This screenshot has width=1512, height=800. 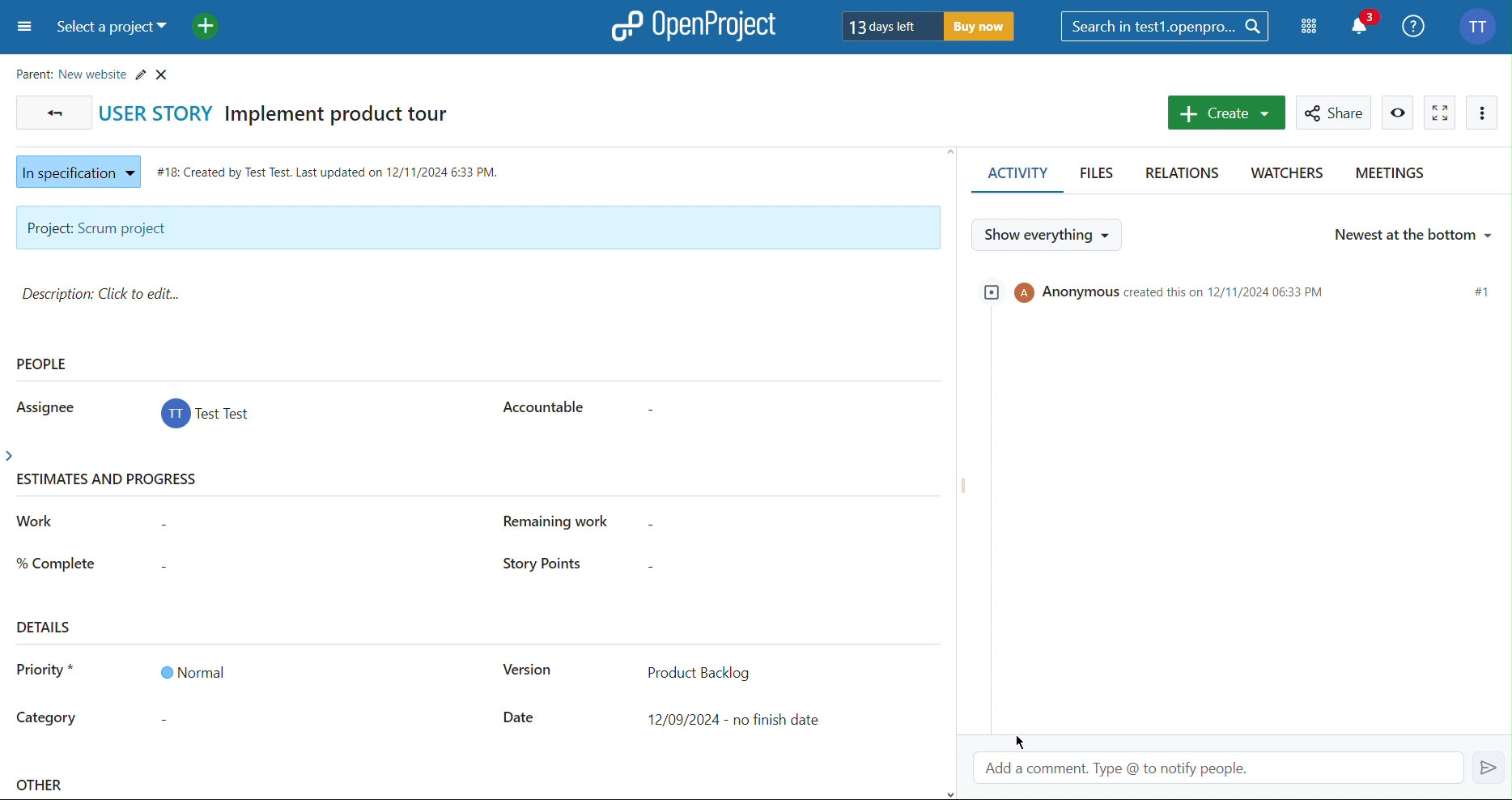 What do you see at coordinates (541, 405) in the screenshot?
I see `Accountable` at bounding box center [541, 405].